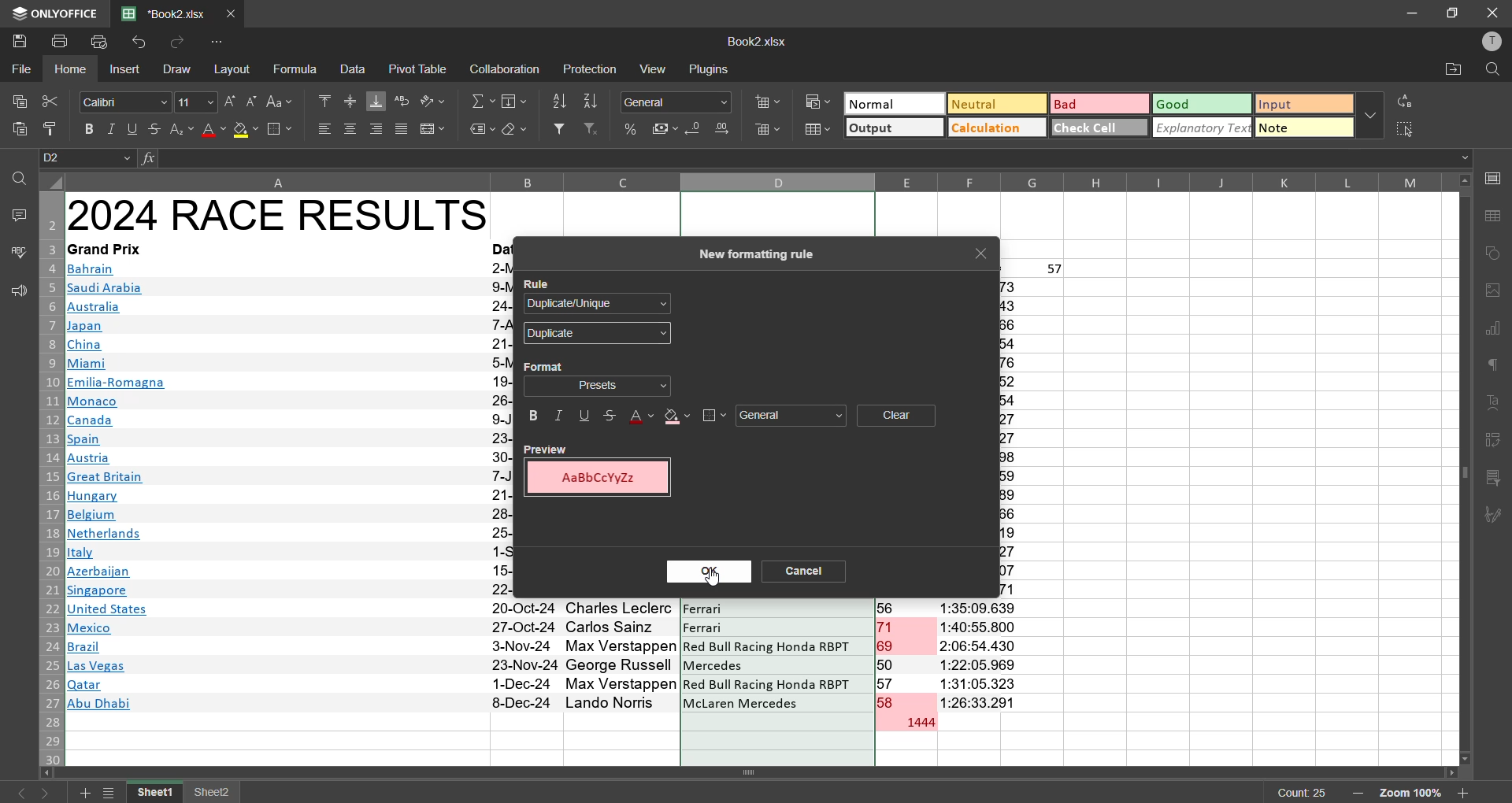  I want to click on rule, so click(604, 304).